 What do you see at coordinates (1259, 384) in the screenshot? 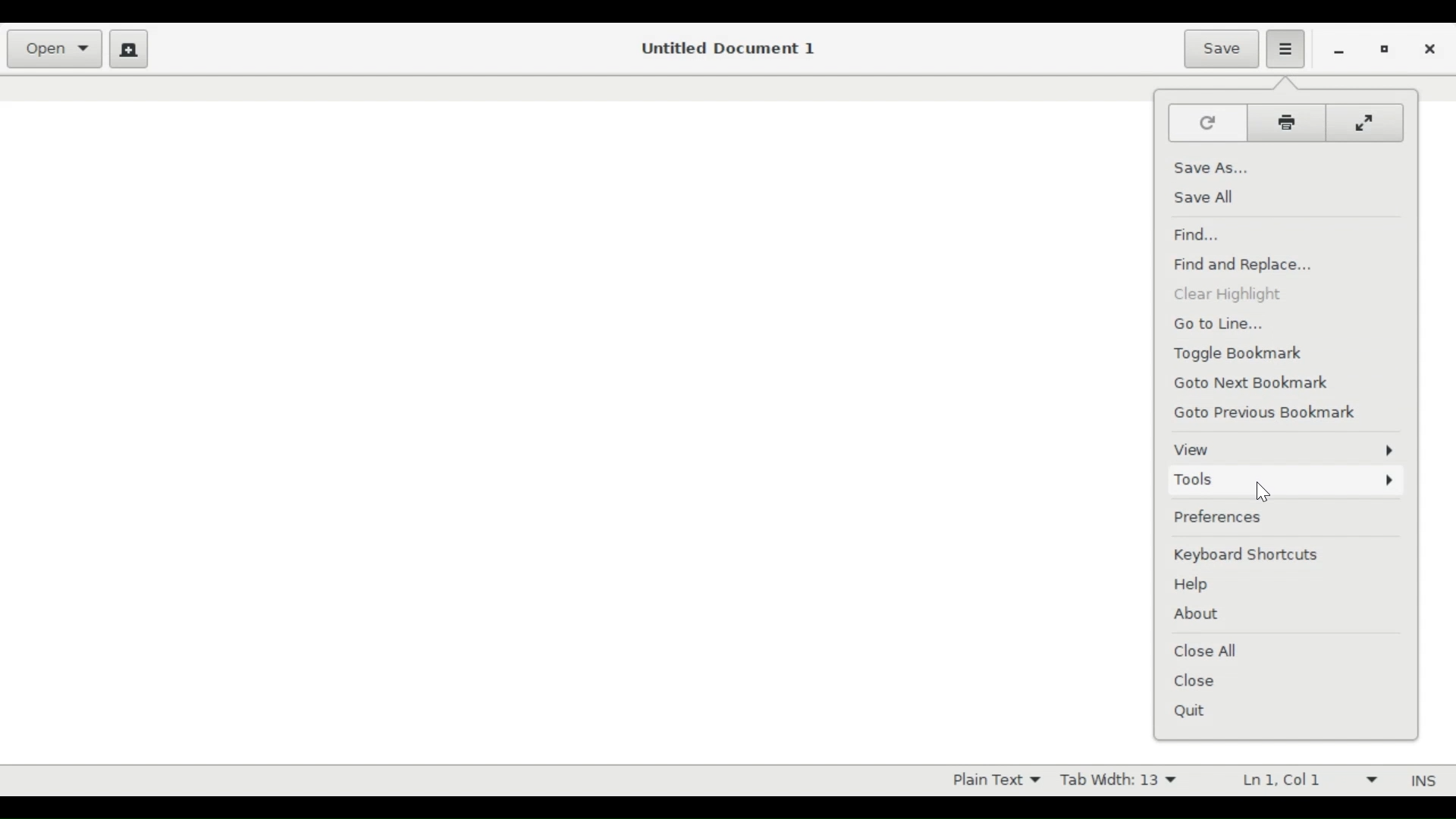
I see `Goto Next Bookmark` at bounding box center [1259, 384].